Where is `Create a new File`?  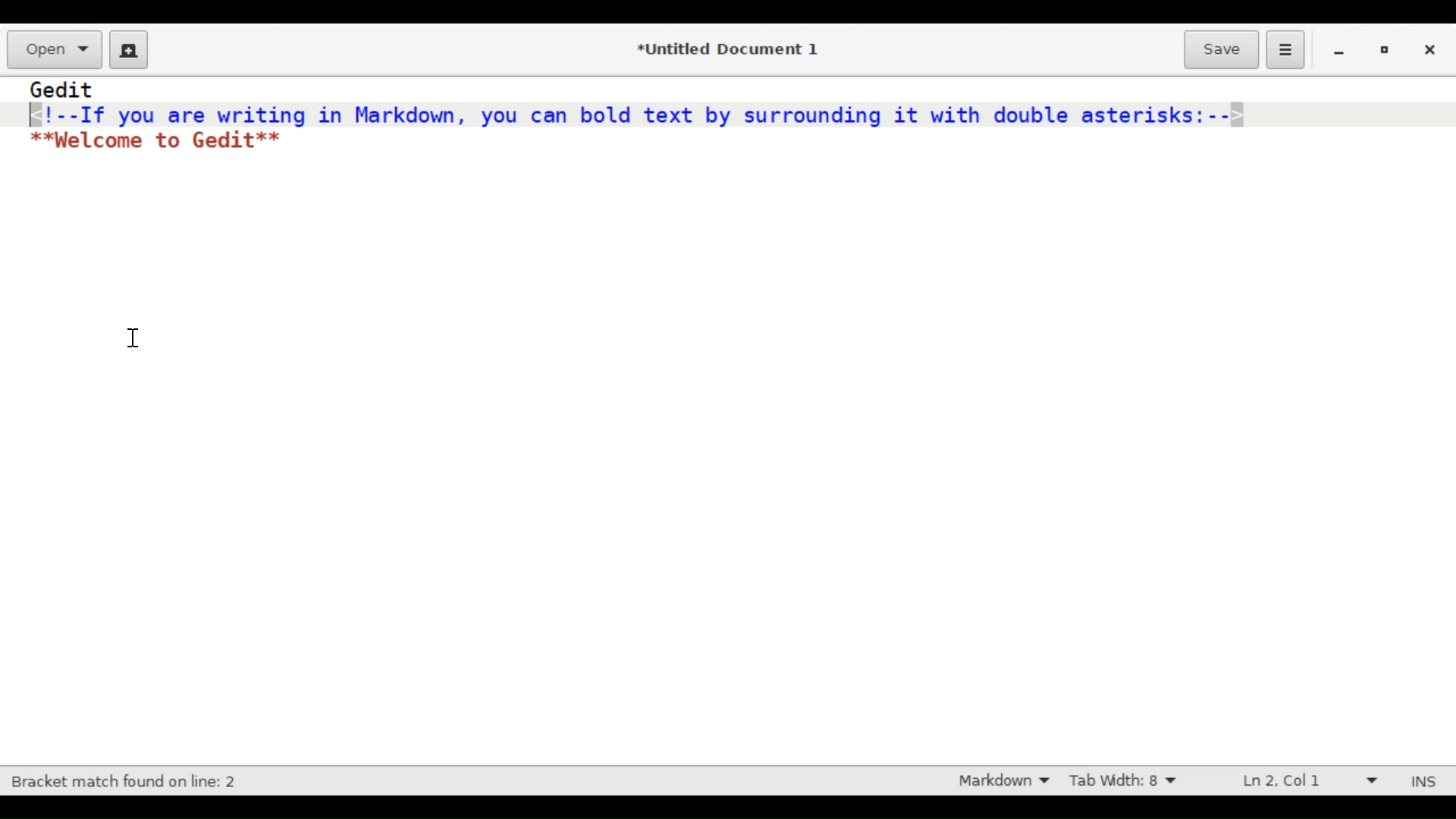 Create a new File is located at coordinates (126, 49).